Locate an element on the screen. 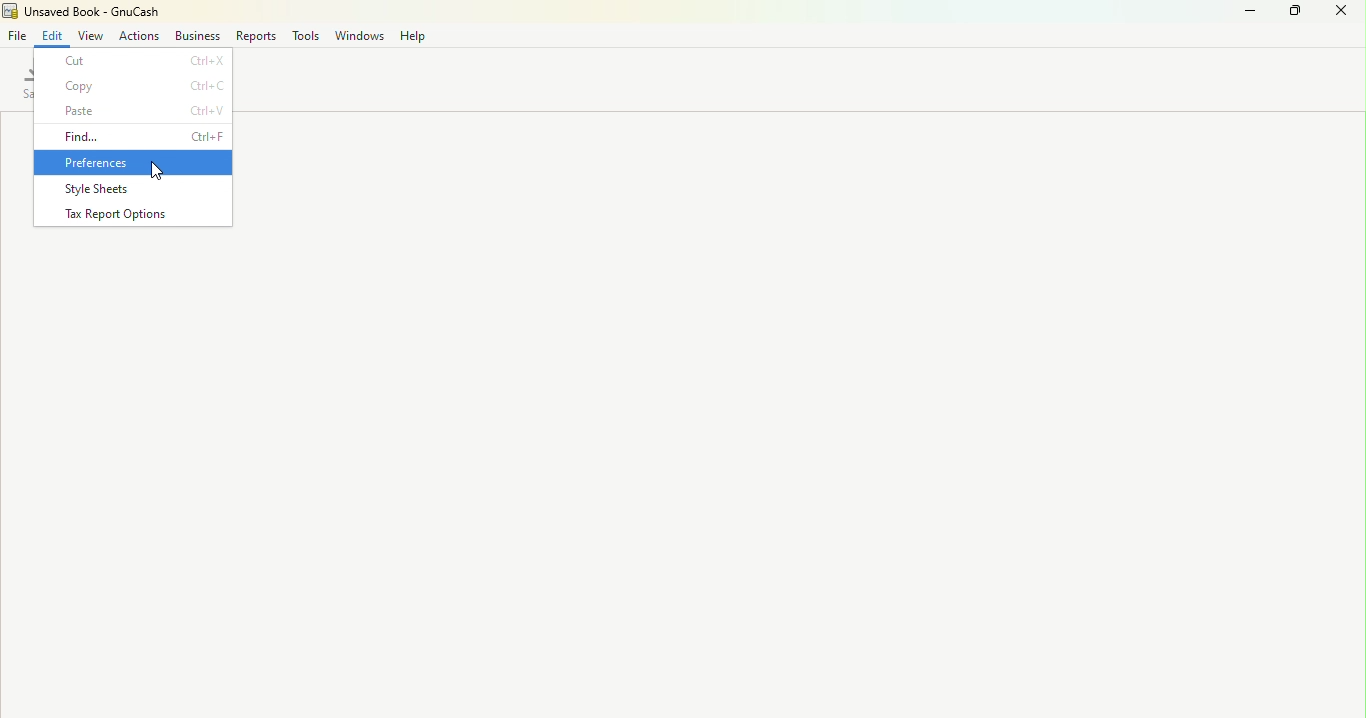  Unsaved Book - GnuCash is located at coordinates (90, 11).